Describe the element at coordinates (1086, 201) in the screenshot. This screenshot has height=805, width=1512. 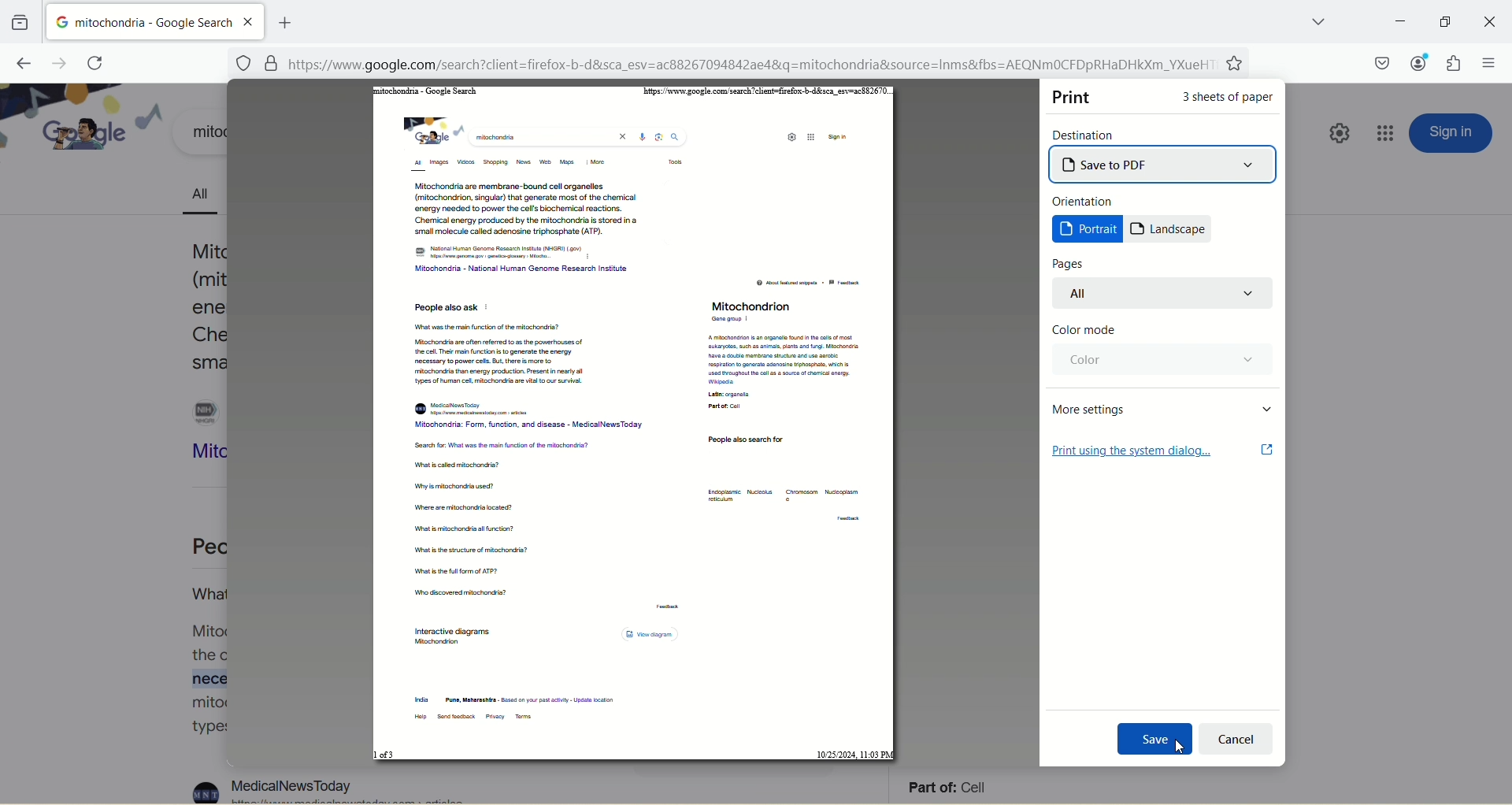
I see `orientation` at that location.